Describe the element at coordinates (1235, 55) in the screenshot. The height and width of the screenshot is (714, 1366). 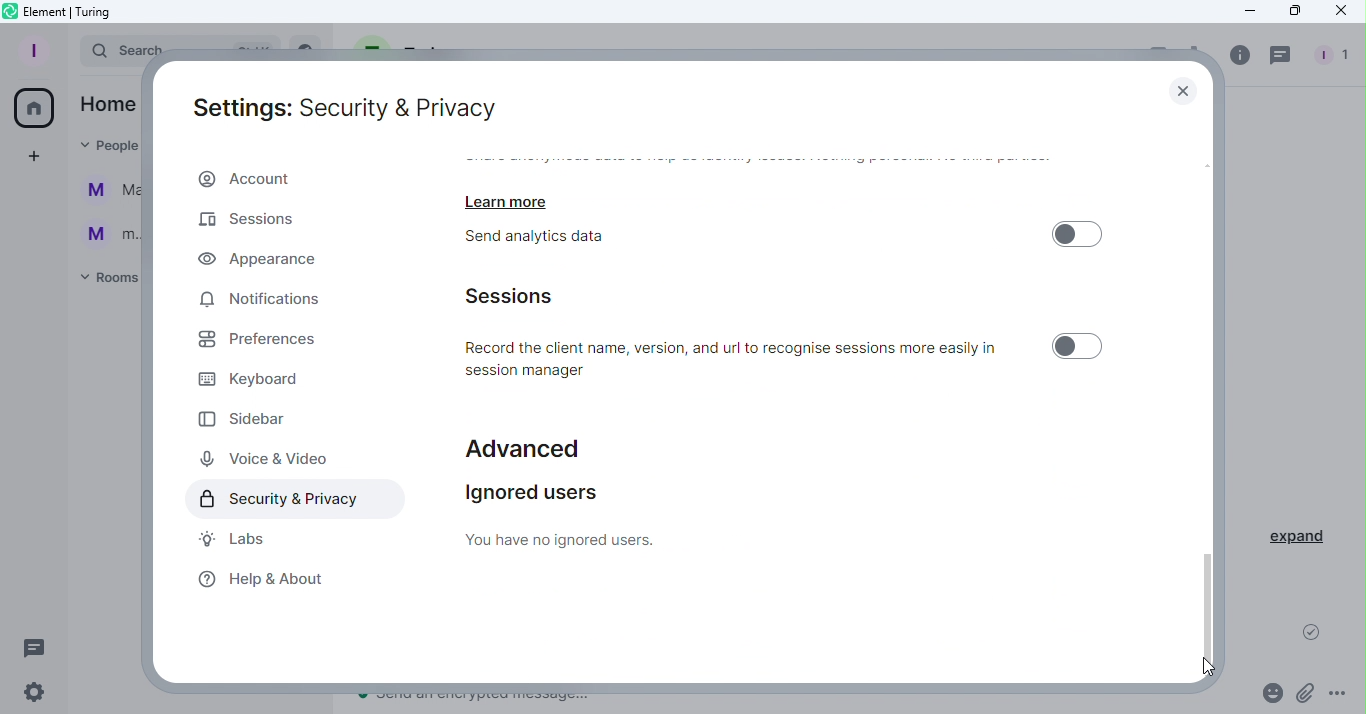
I see `info` at that location.